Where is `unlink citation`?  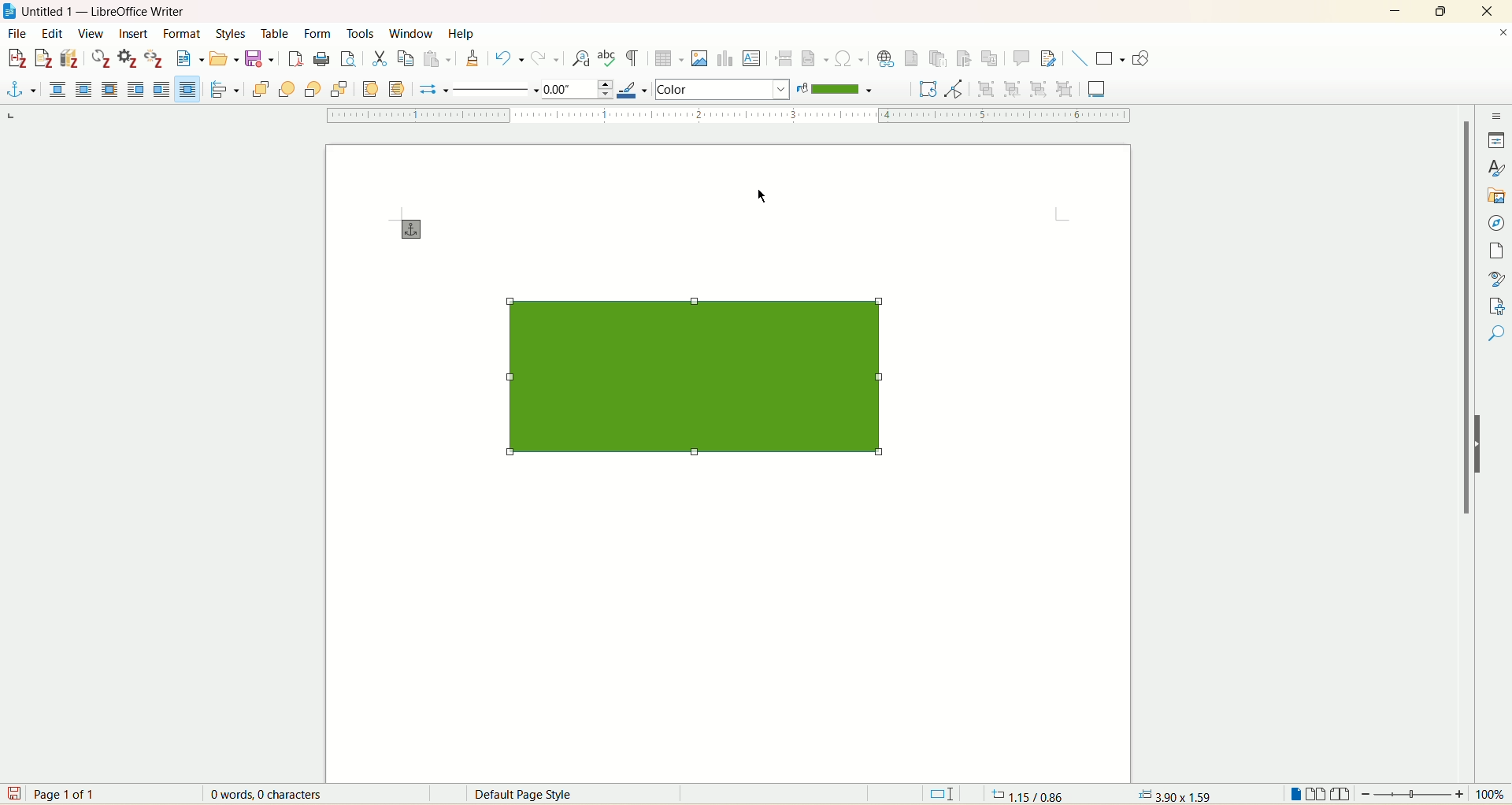
unlink citation is located at coordinates (153, 58).